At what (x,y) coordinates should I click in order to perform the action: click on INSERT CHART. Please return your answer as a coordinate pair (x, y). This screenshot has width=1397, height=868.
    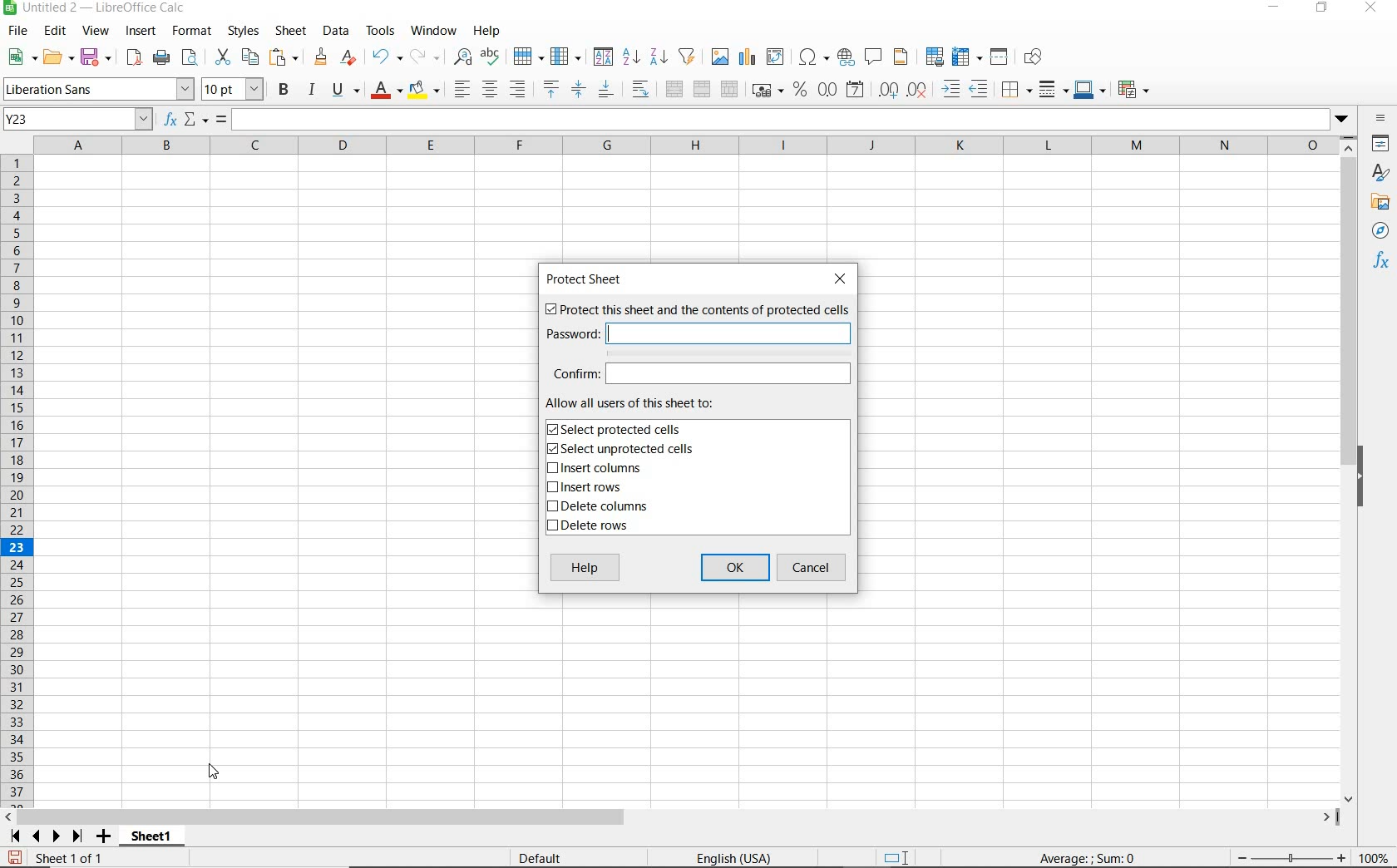
    Looking at the image, I should click on (748, 57).